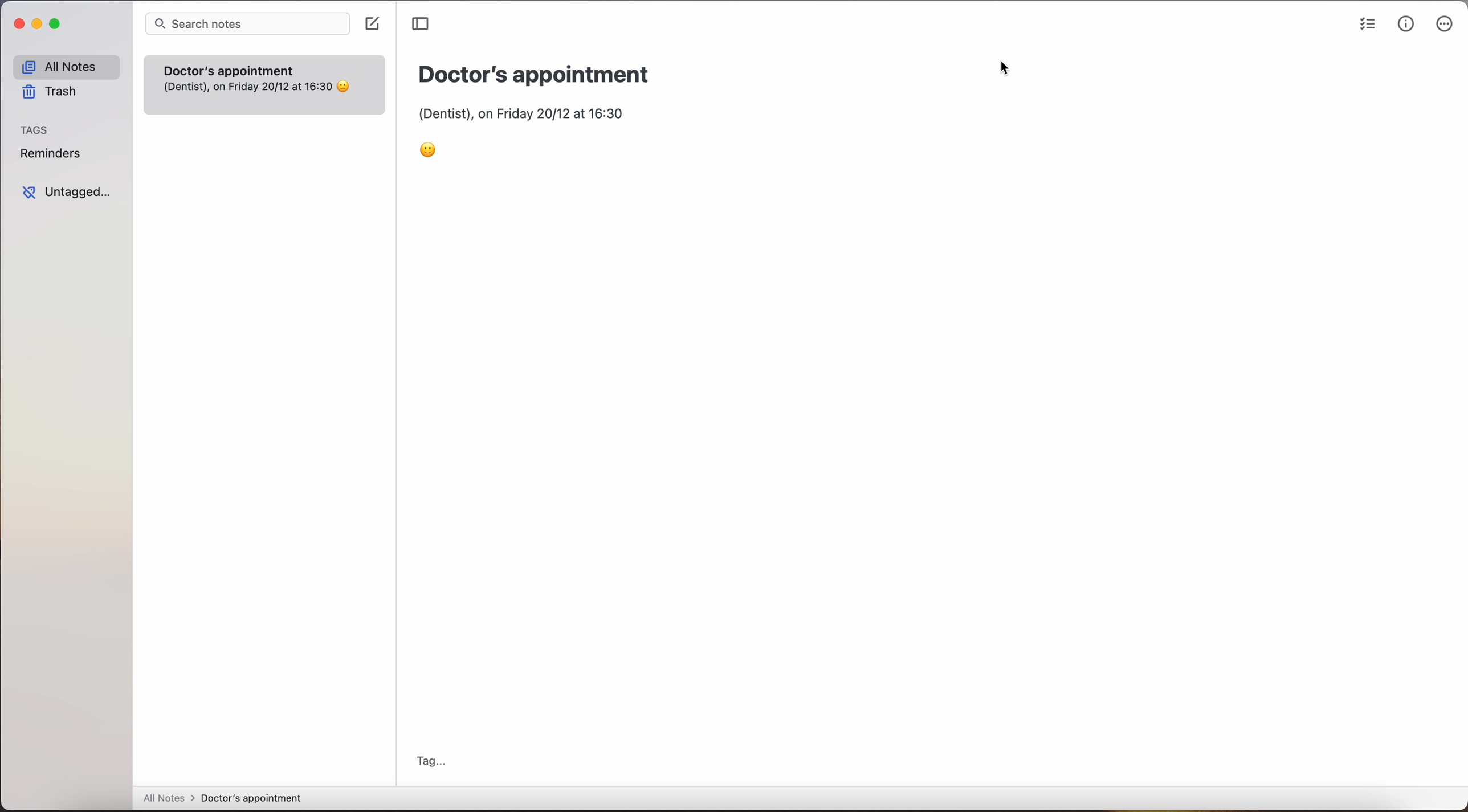 The width and height of the screenshot is (1468, 812). Describe the element at coordinates (58, 24) in the screenshot. I see `maximize app` at that location.